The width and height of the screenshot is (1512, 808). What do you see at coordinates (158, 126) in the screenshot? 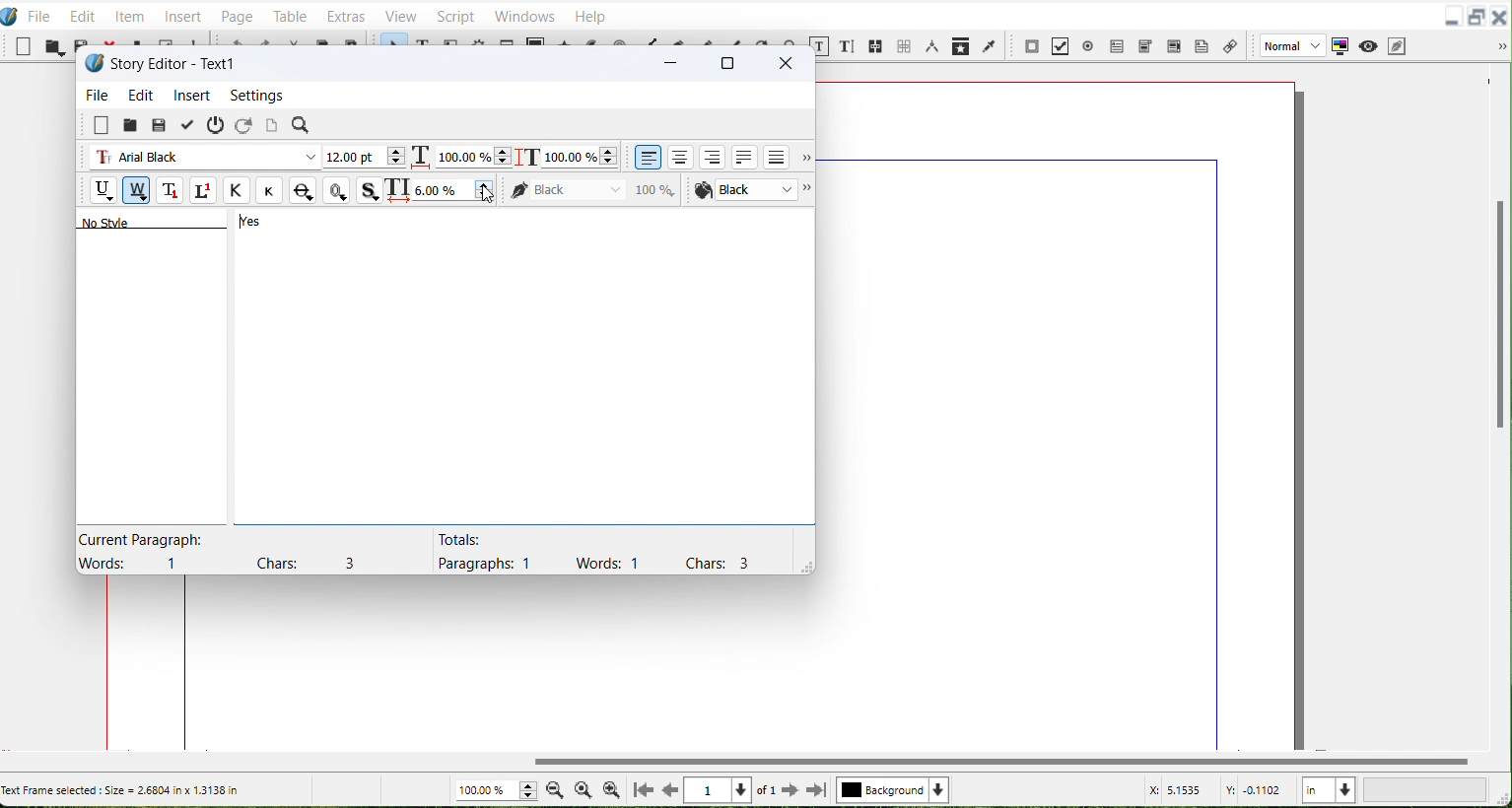
I see `Save from file` at bounding box center [158, 126].